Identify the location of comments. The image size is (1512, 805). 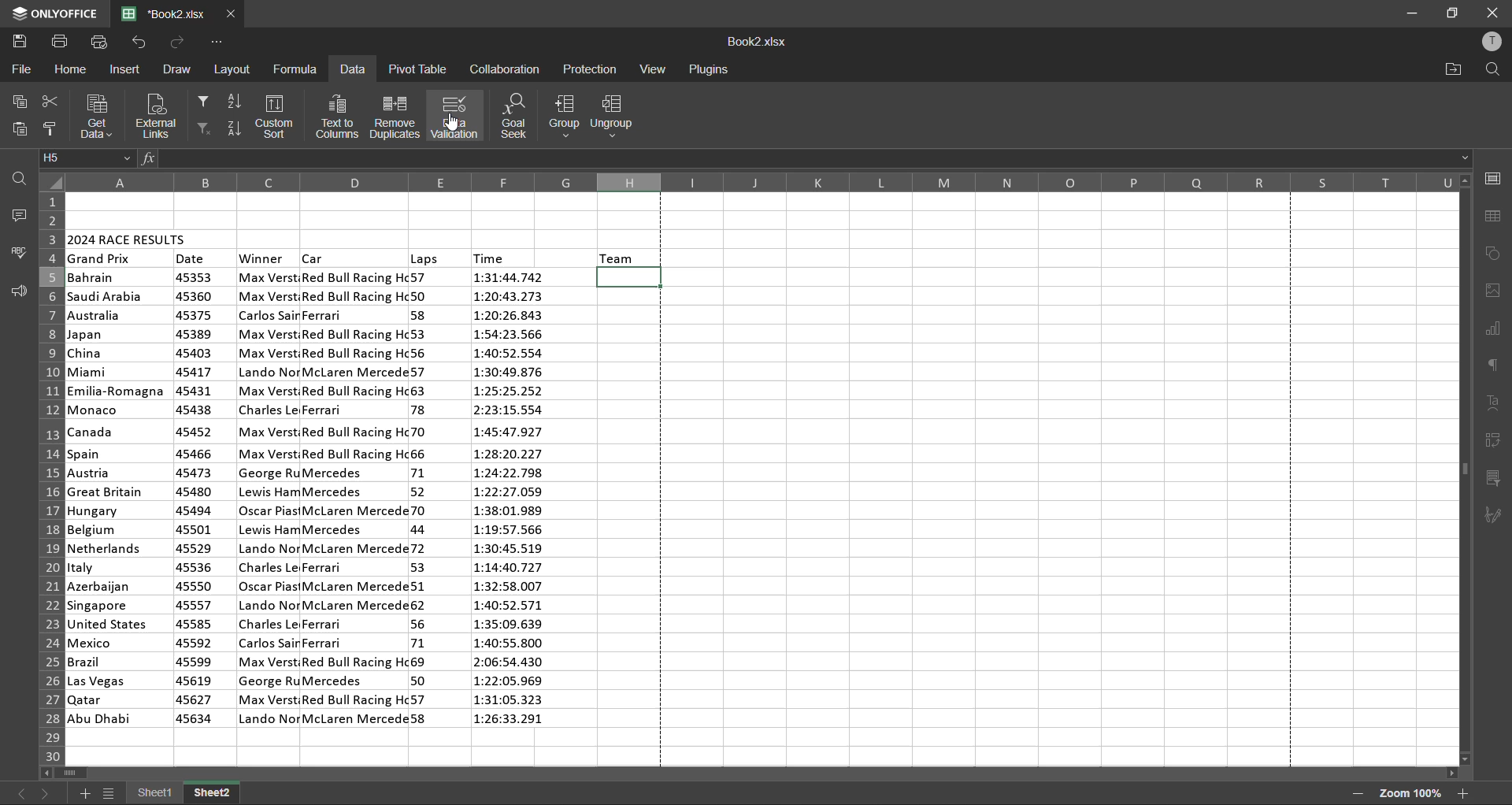
(16, 215).